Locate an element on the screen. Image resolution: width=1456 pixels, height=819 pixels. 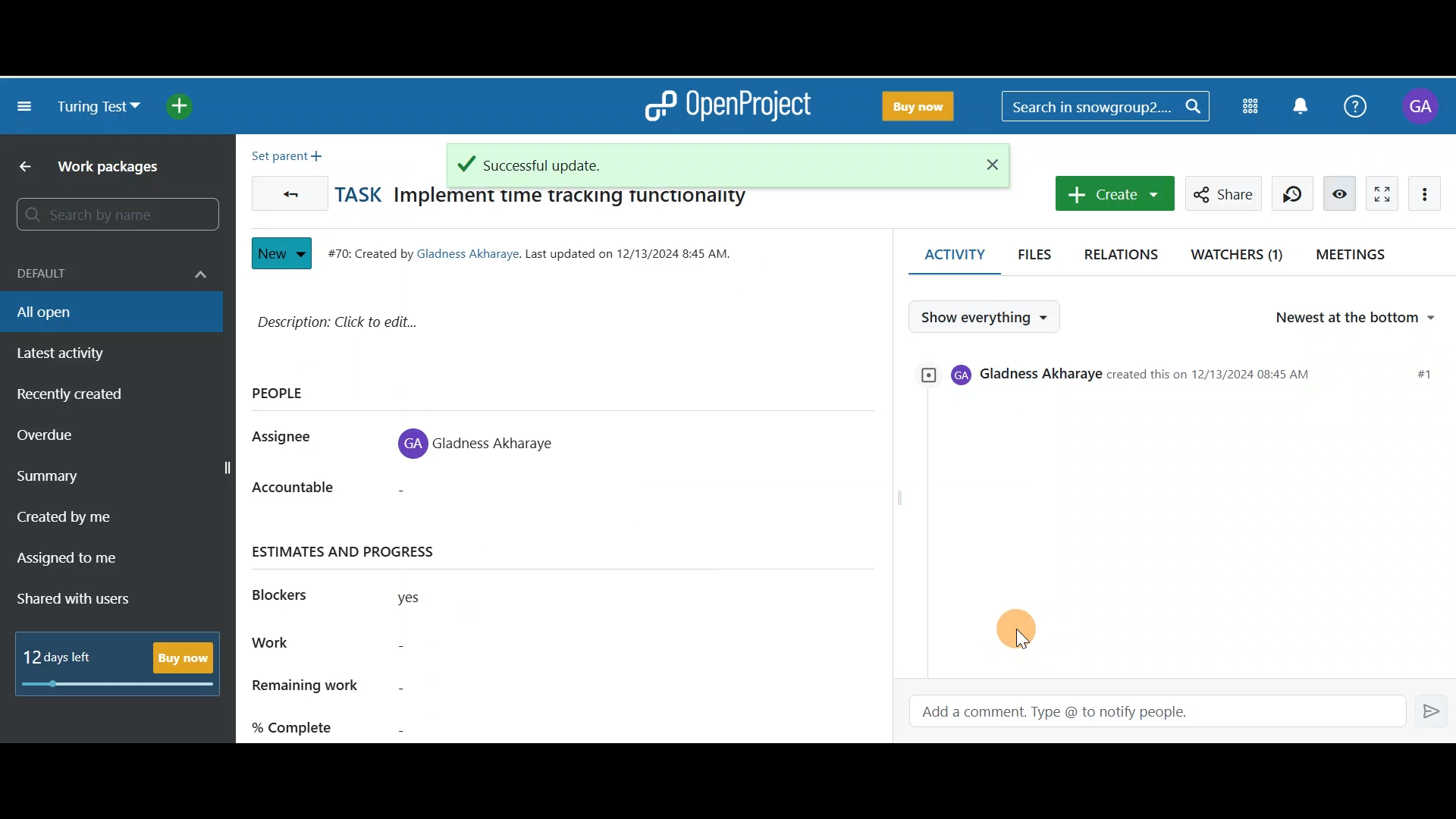
Notification centre is located at coordinates (1302, 105).